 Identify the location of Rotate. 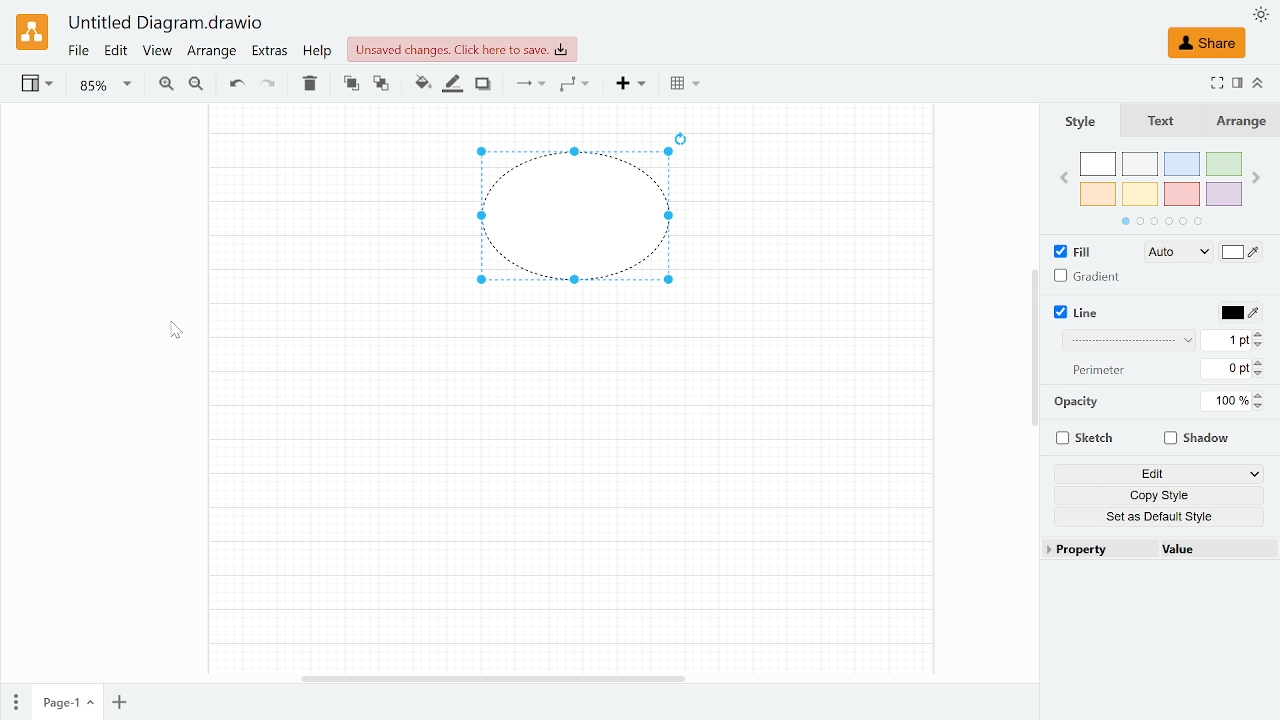
(692, 135).